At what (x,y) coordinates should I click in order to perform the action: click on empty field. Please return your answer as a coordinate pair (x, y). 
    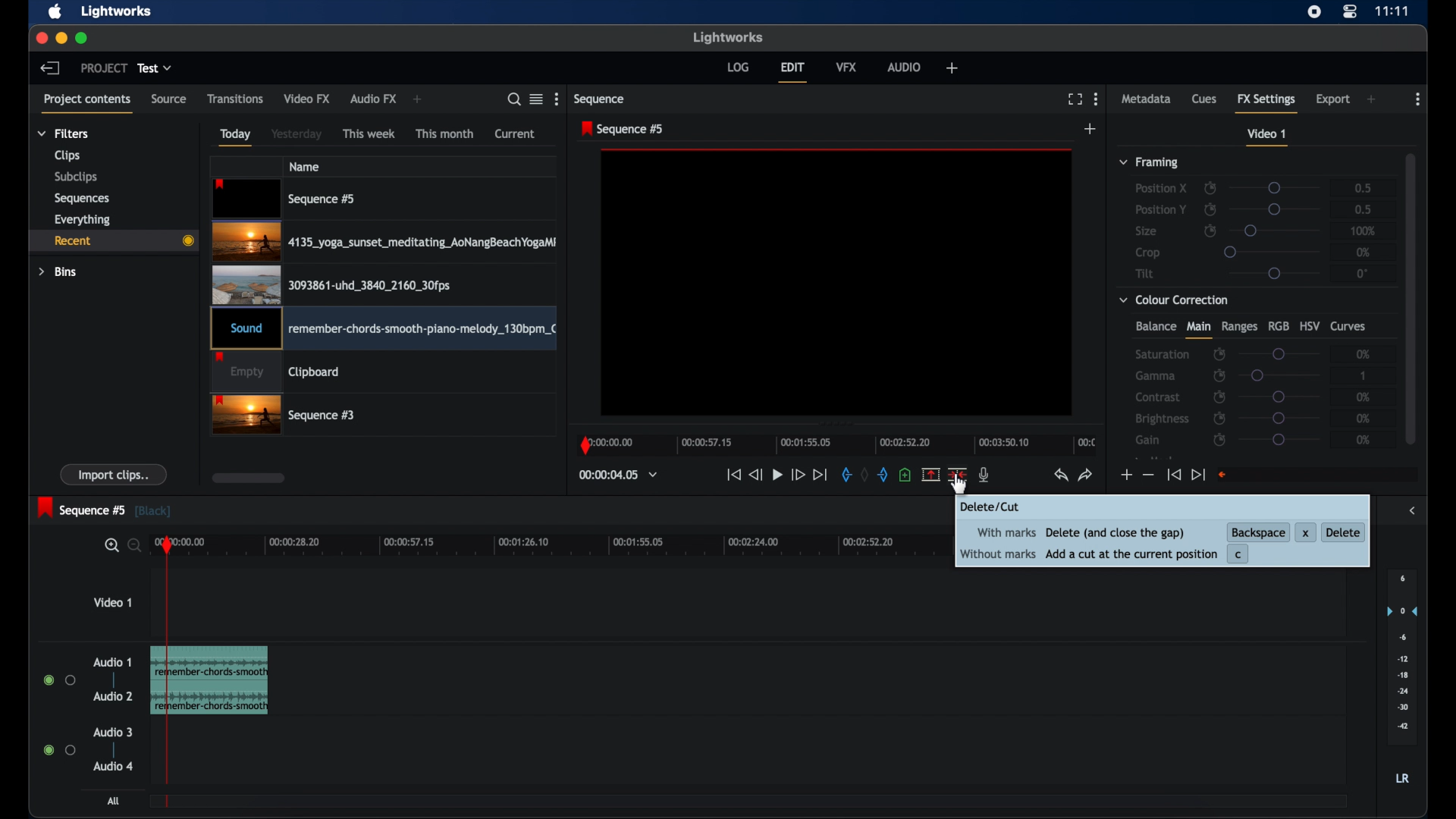
    Looking at the image, I should click on (1319, 475).